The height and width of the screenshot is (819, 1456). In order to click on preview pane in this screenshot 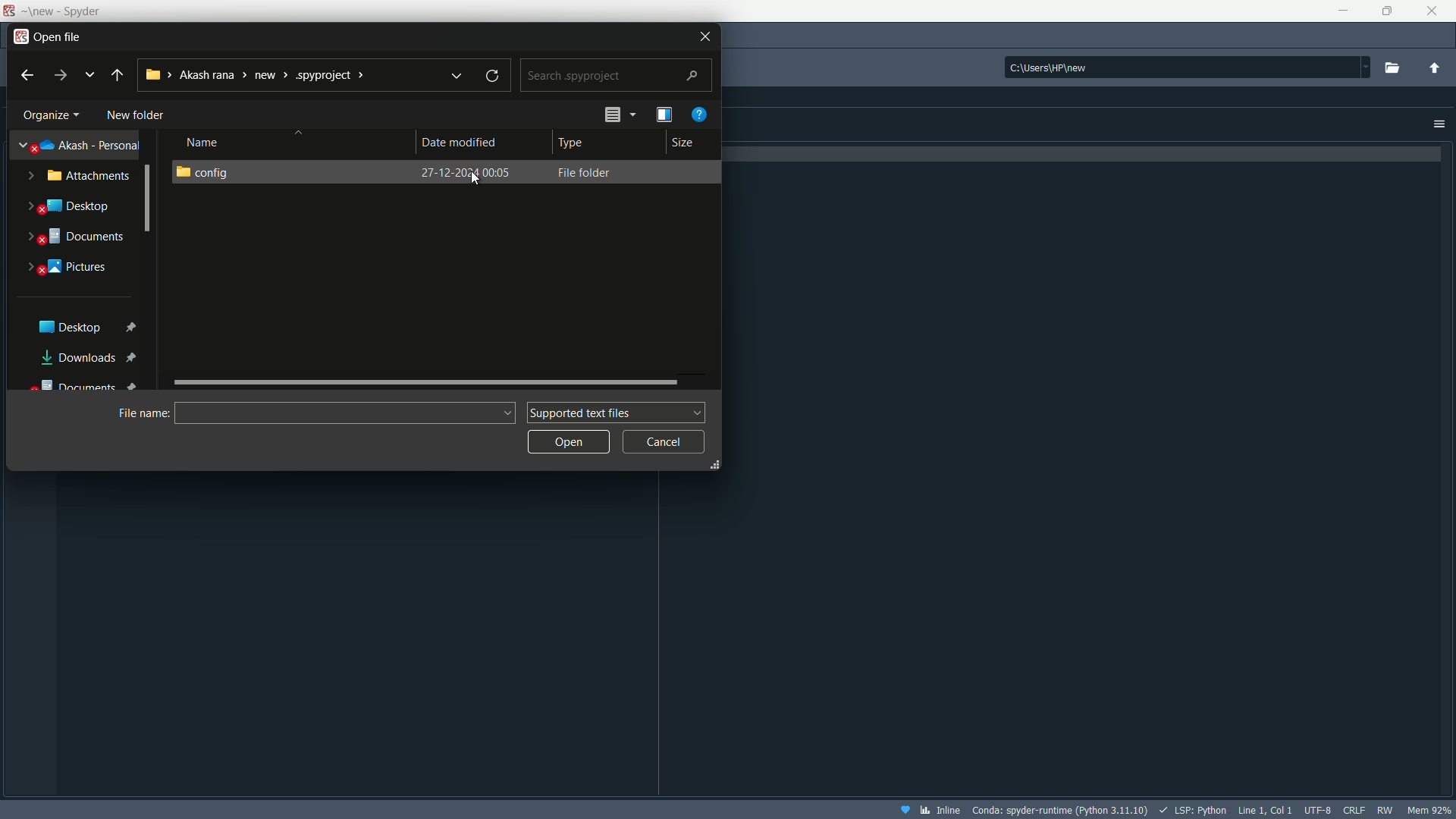, I will do `click(665, 115)`.